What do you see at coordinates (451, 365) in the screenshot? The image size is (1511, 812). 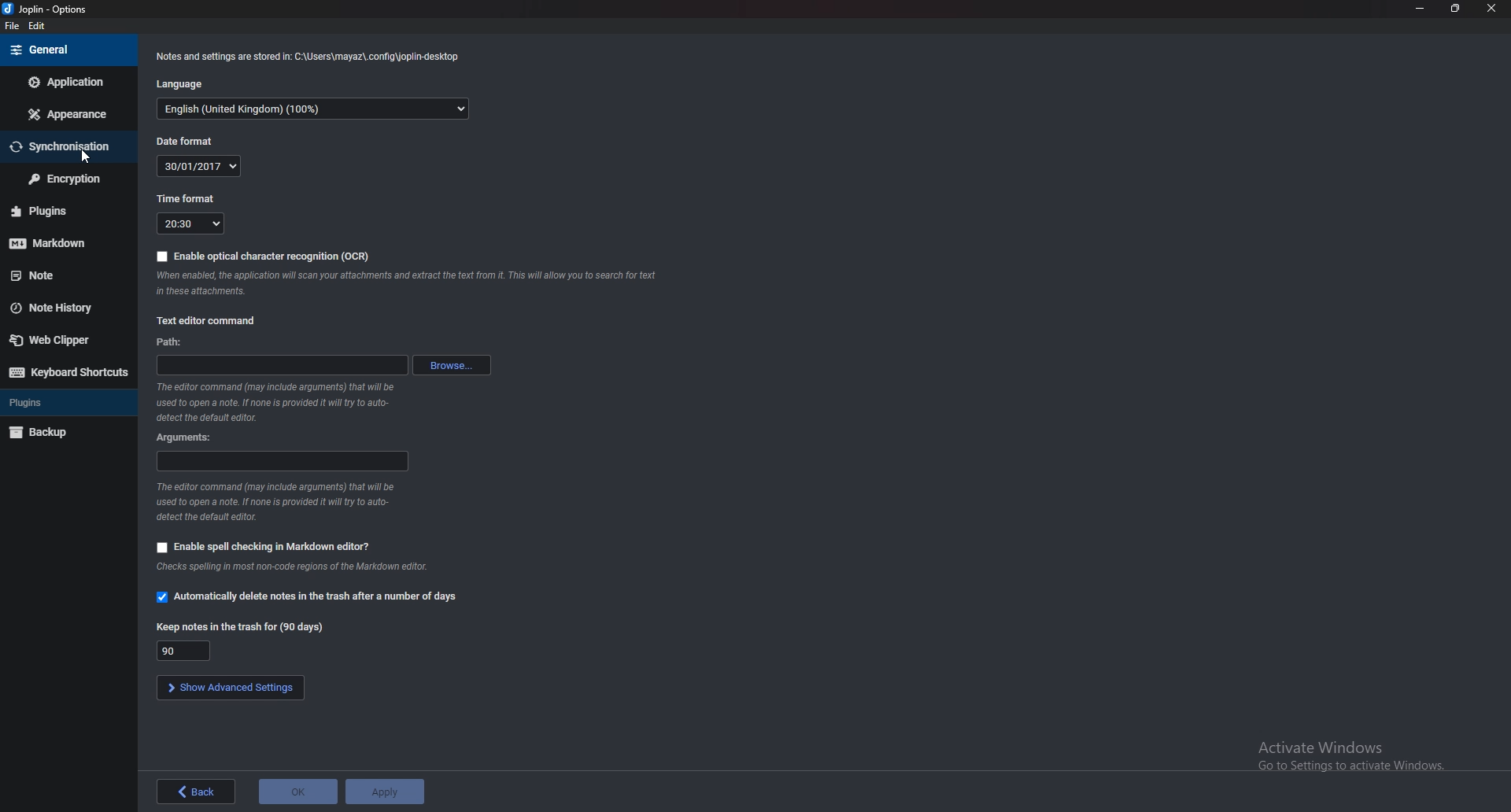 I see `browse` at bounding box center [451, 365].